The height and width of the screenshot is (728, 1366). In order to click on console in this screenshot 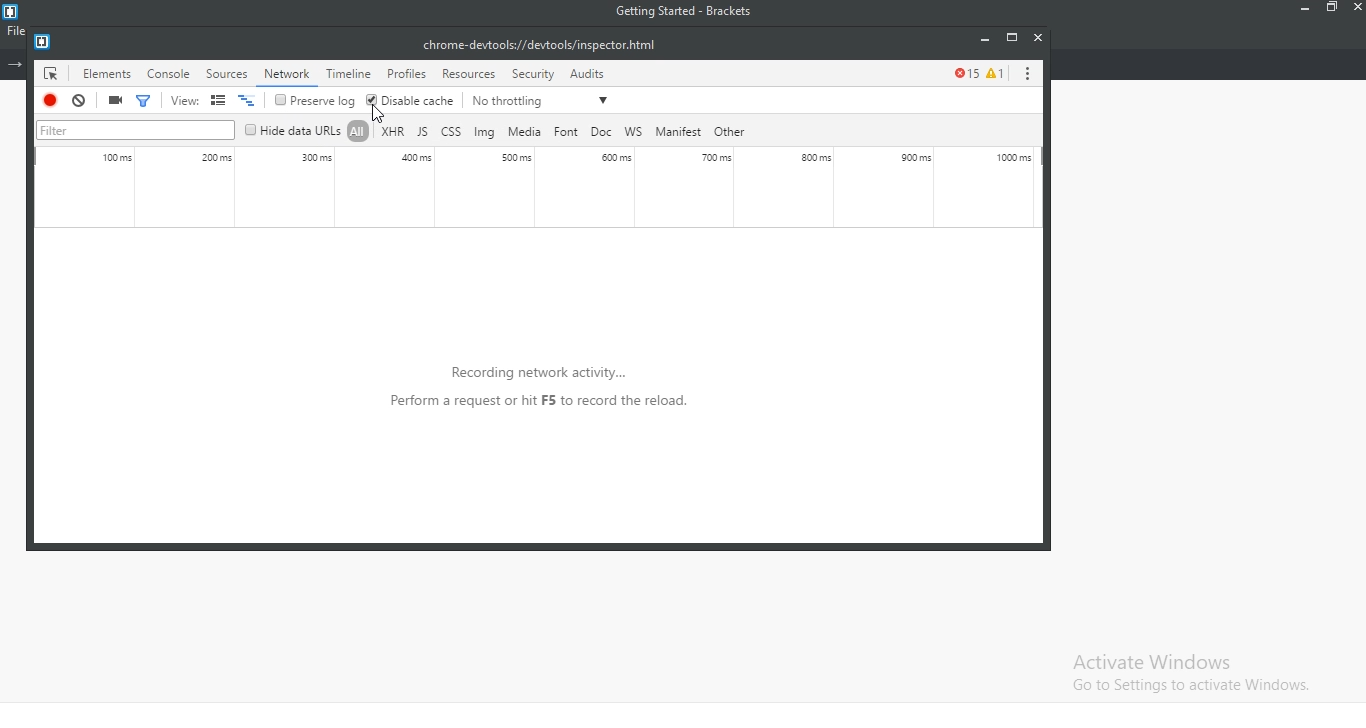, I will do `click(169, 73)`.